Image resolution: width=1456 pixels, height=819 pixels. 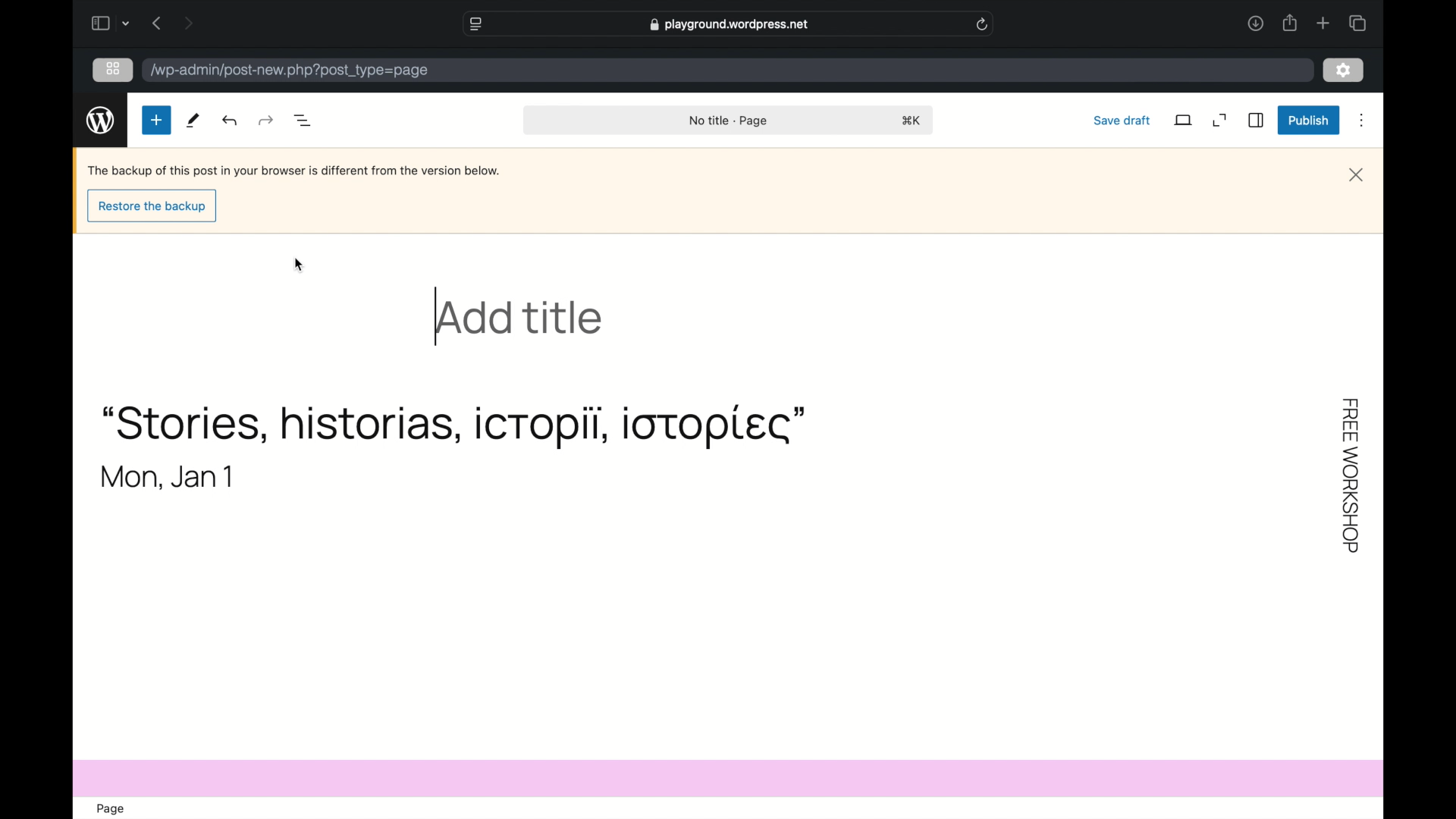 I want to click on new, so click(x=156, y=119).